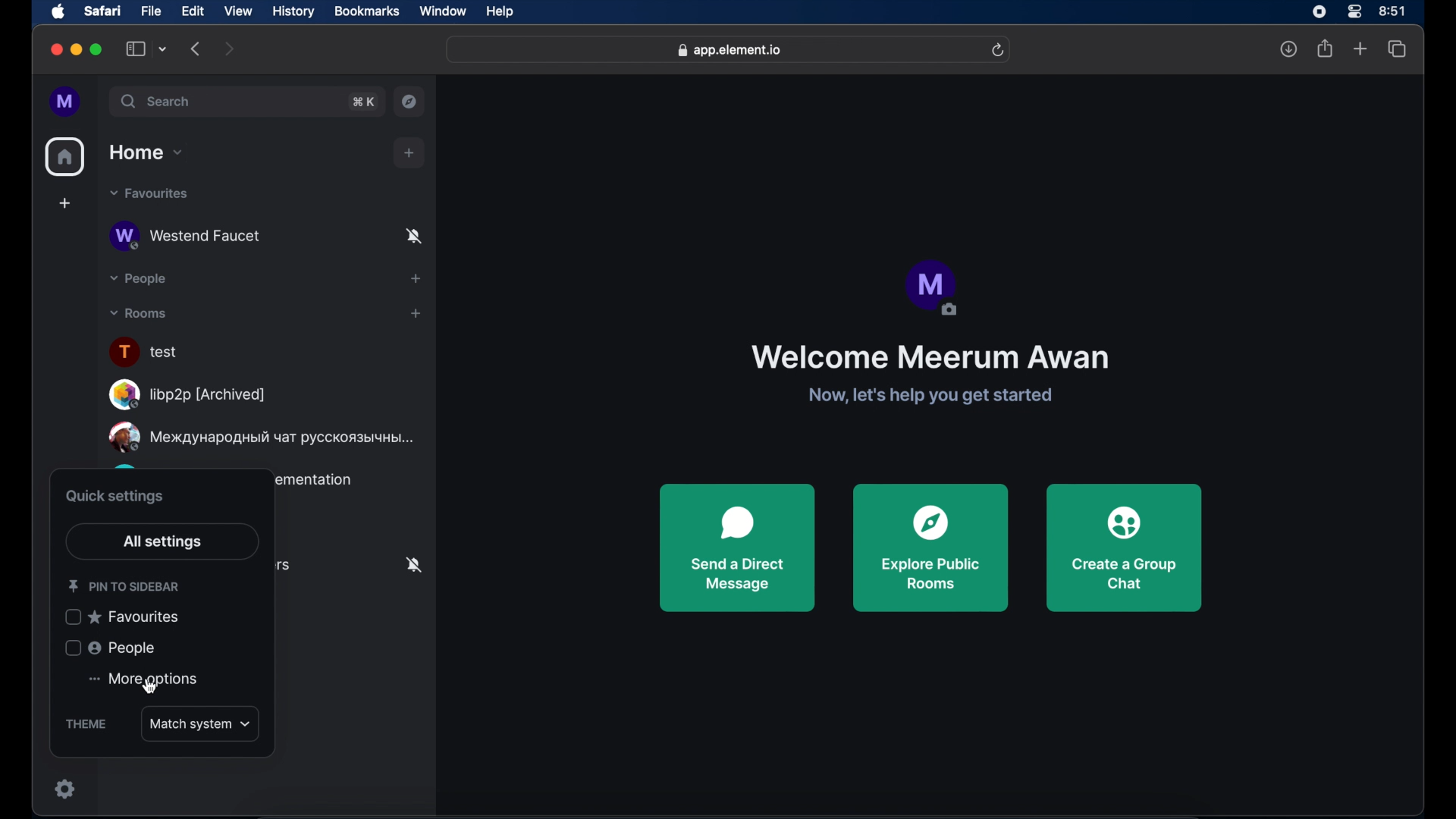 This screenshot has height=819, width=1456. I want to click on screen recorder icon, so click(1313, 11).